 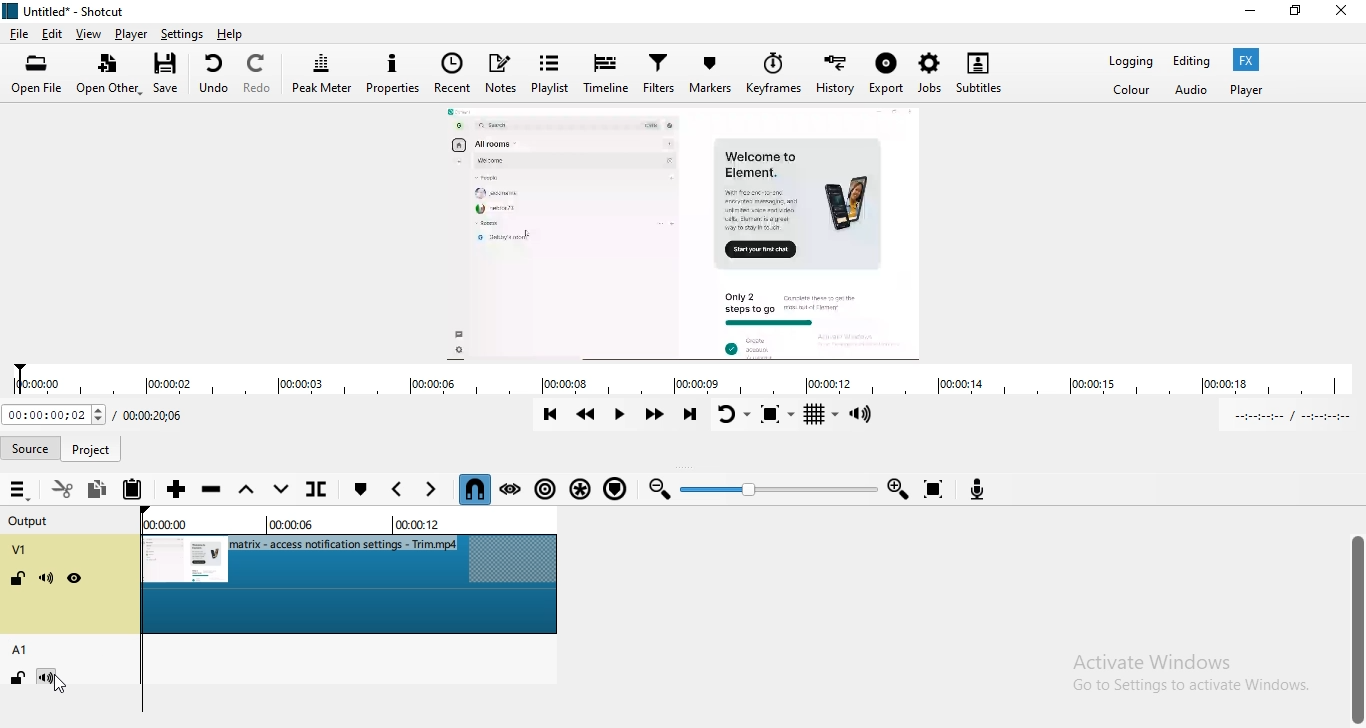 What do you see at coordinates (63, 487) in the screenshot?
I see `Cut` at bounding box center [63, 487].